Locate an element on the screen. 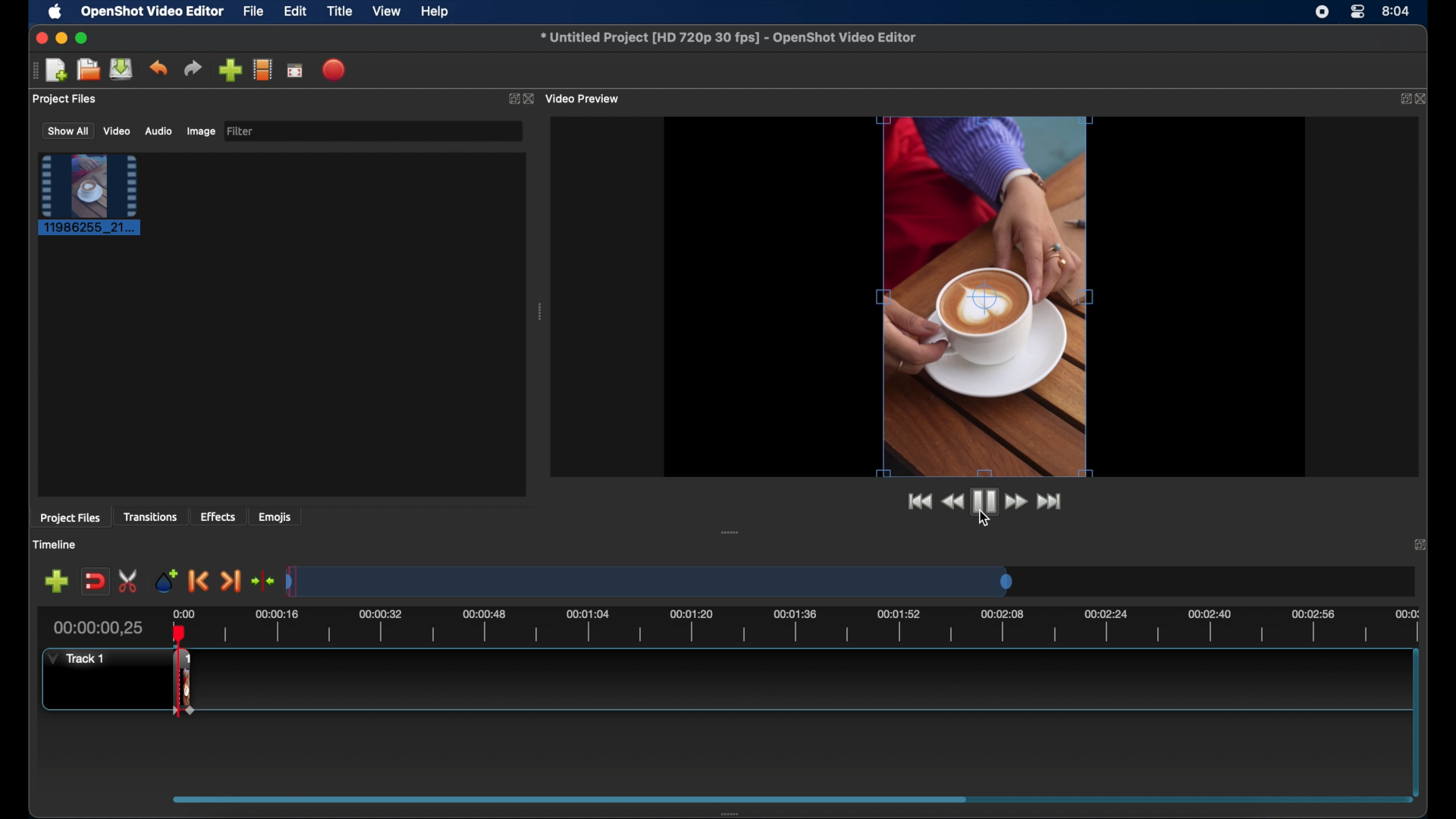 The height and width of the screenshot is (819, 1456). drag handle is located at coordinates (32, 71).